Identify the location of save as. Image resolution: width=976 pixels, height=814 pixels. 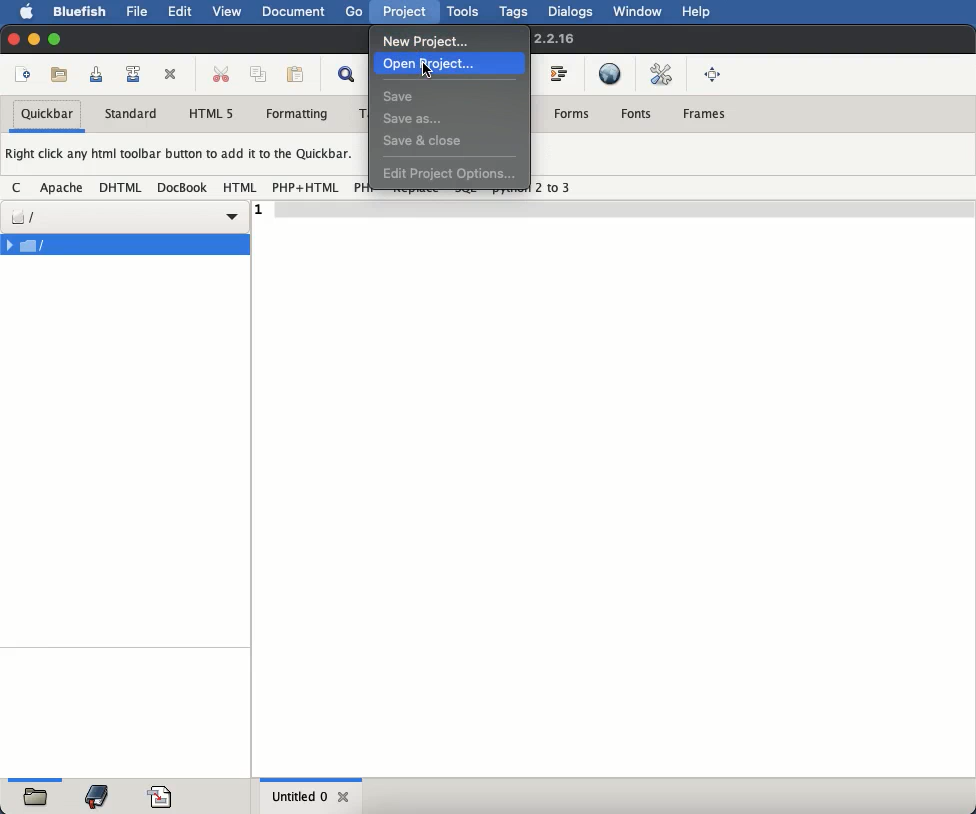
(415, 119).